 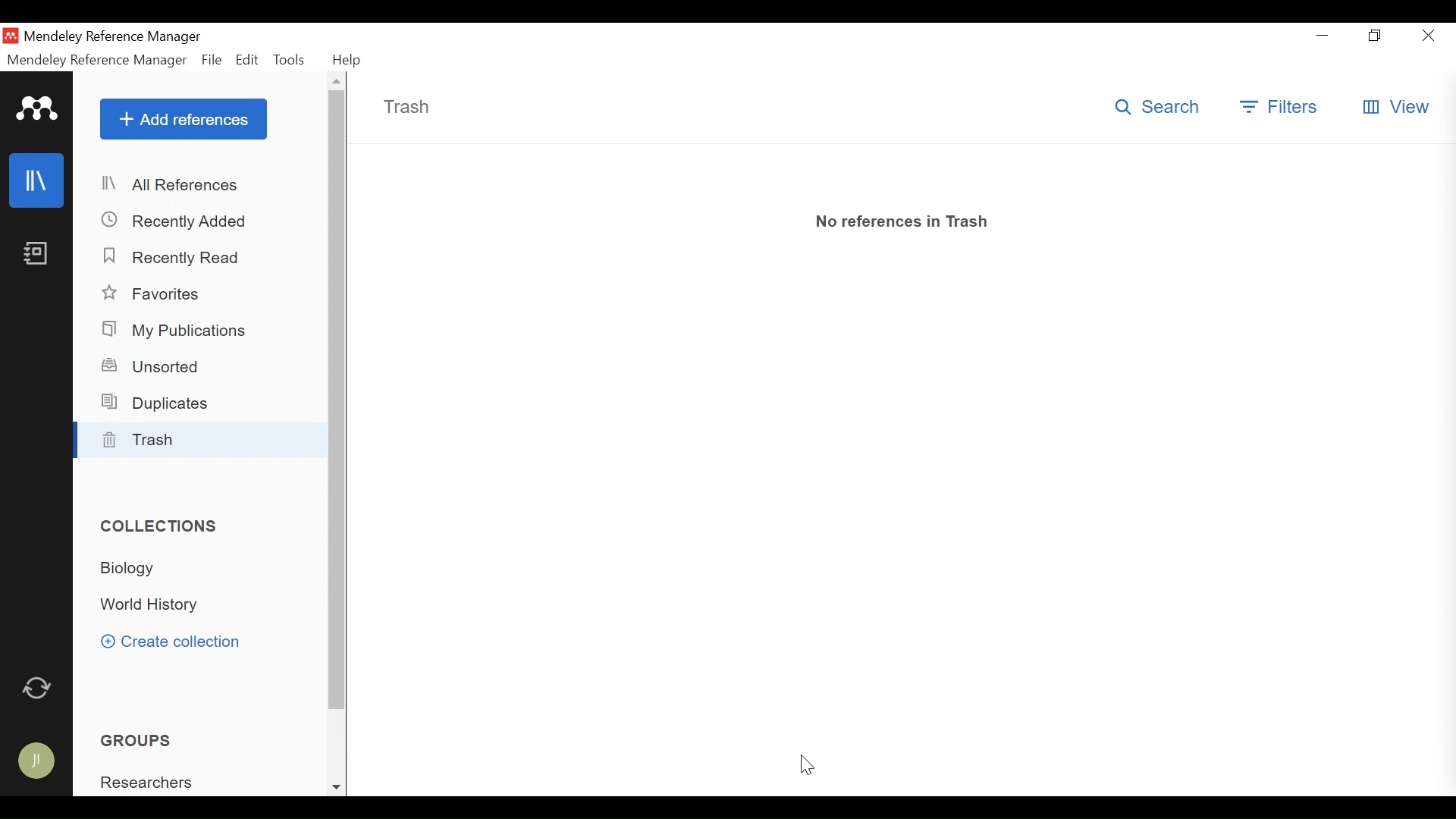 I want to click on Favorites, so click(x=161, y=293).